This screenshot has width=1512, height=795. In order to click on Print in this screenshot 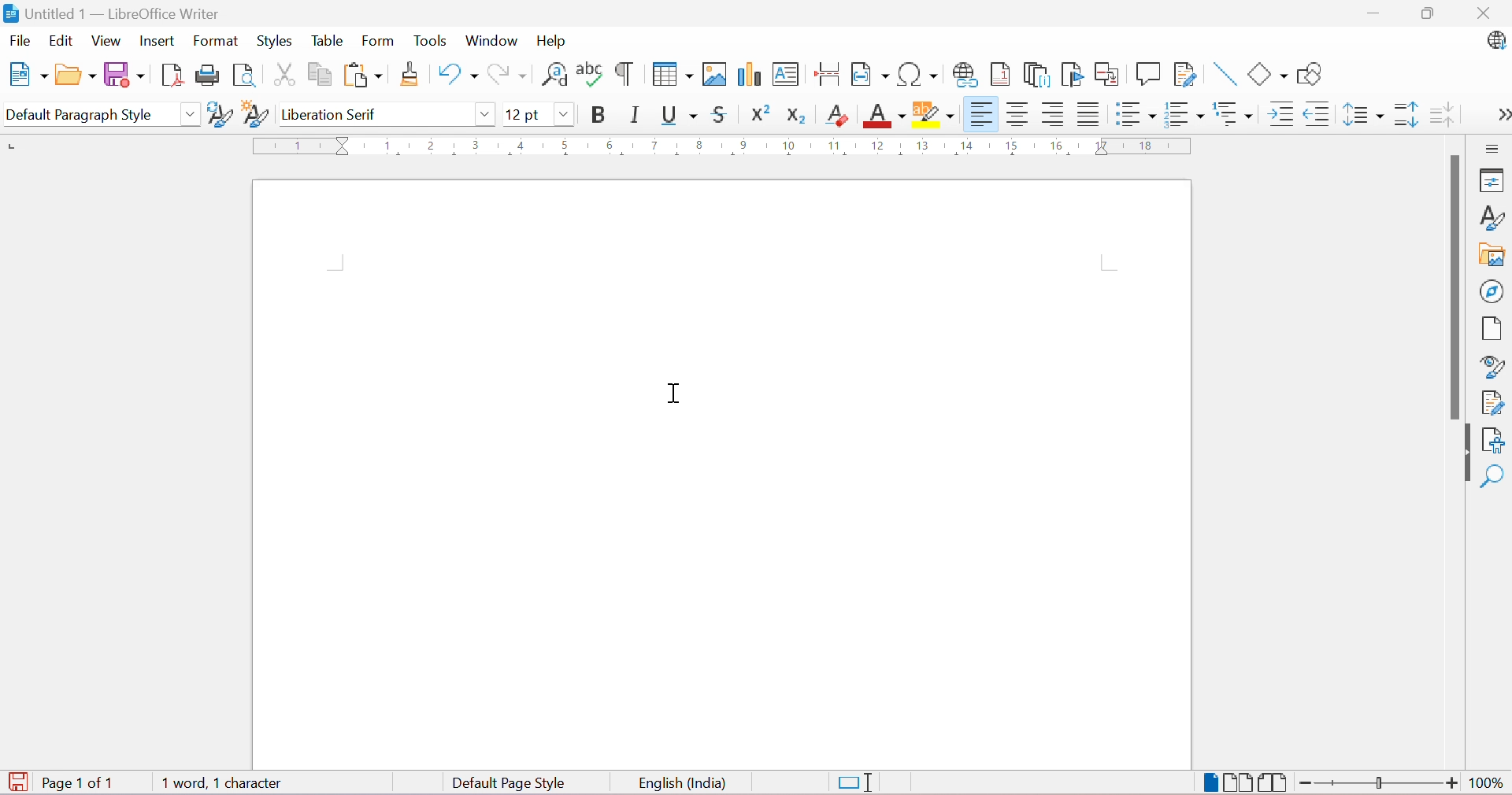, I will do `click(206, 76)`.